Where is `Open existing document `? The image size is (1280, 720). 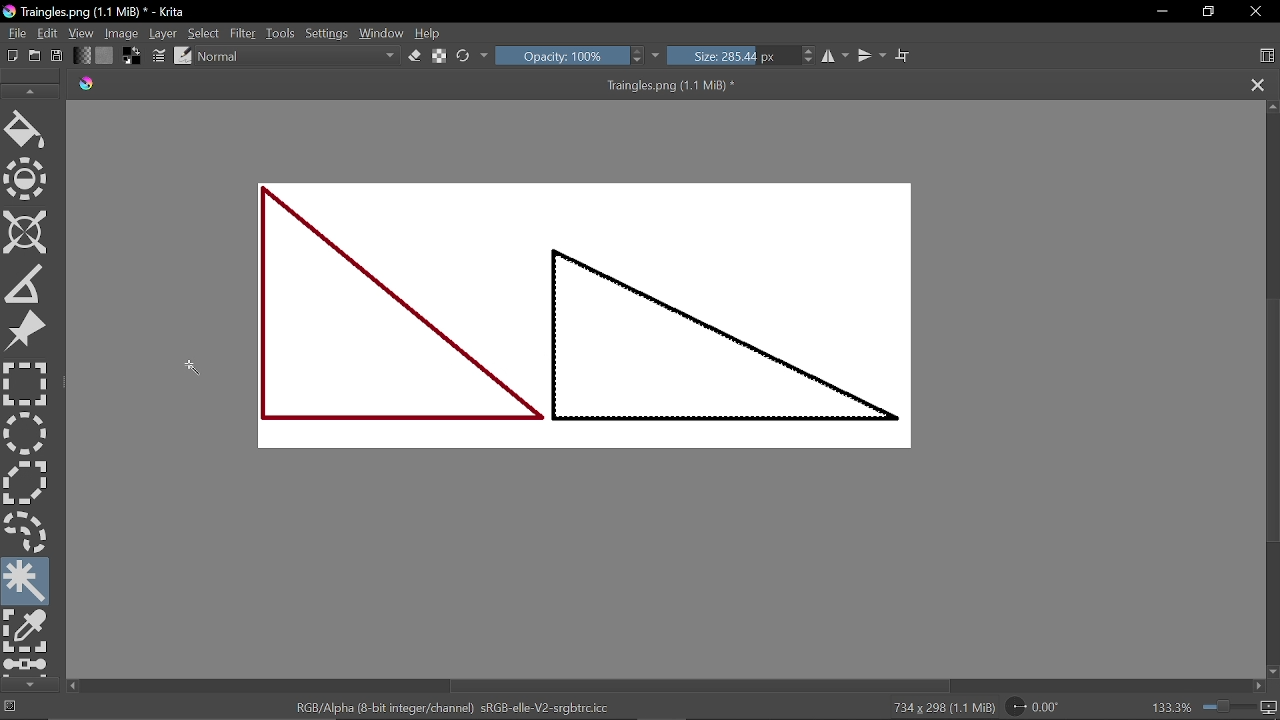
Open existing document  is located at coordinates (35, 56).